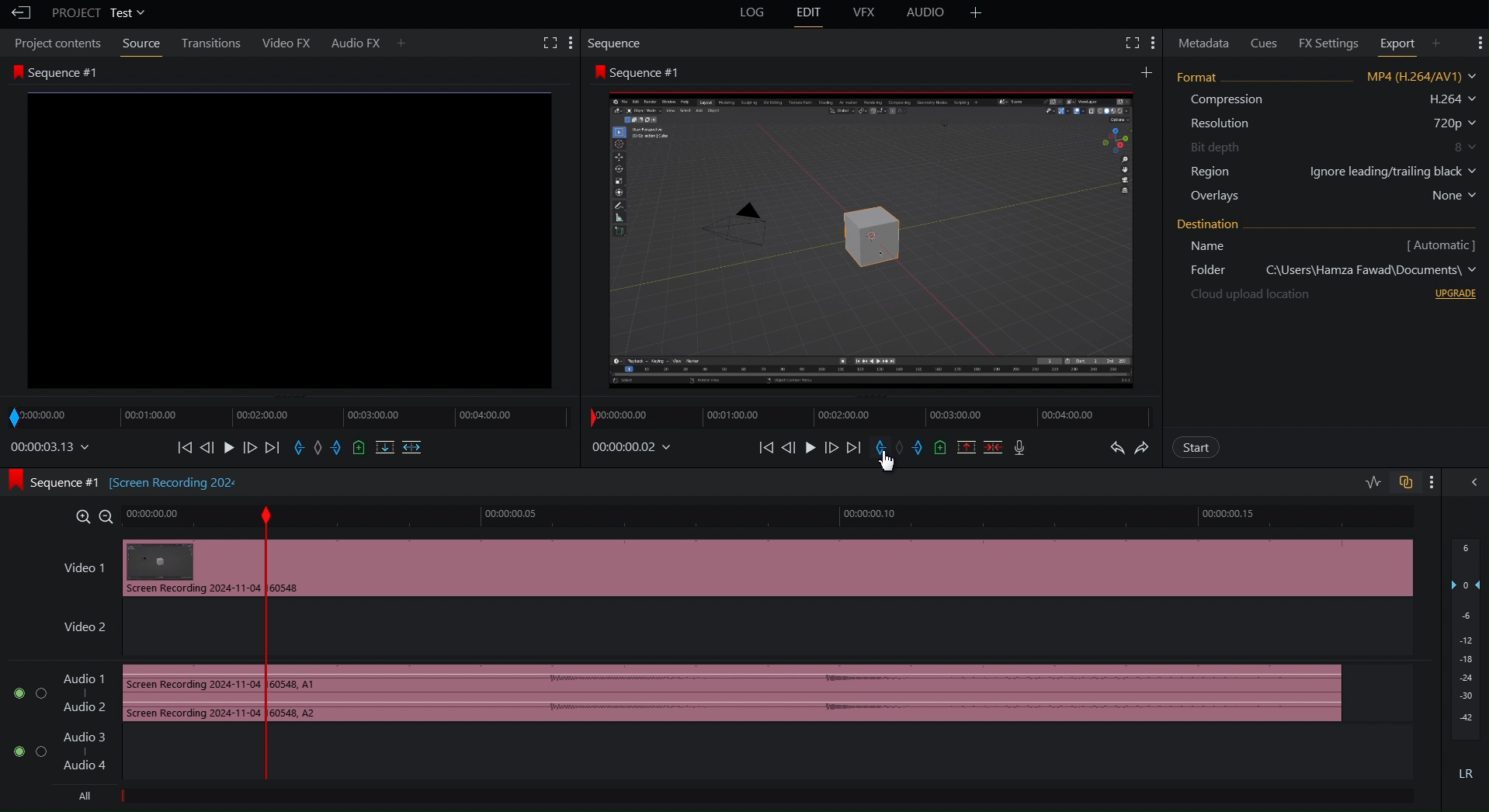  Describe the element at coordinates (1407, 42) in the screenshot. I see `Export` at that location.